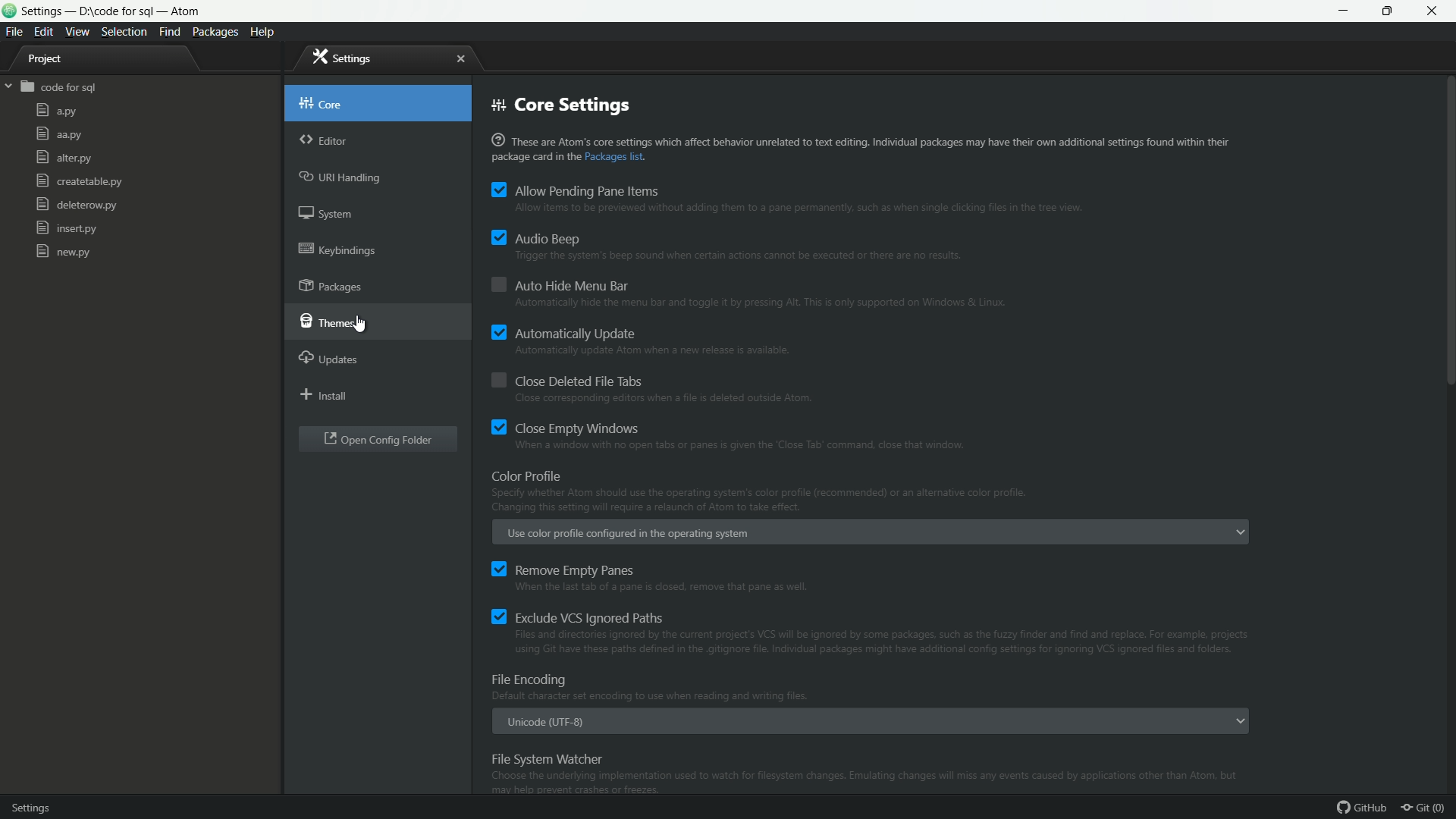 The image size is (1456, 819). I want to click on install, so click(325, 397).